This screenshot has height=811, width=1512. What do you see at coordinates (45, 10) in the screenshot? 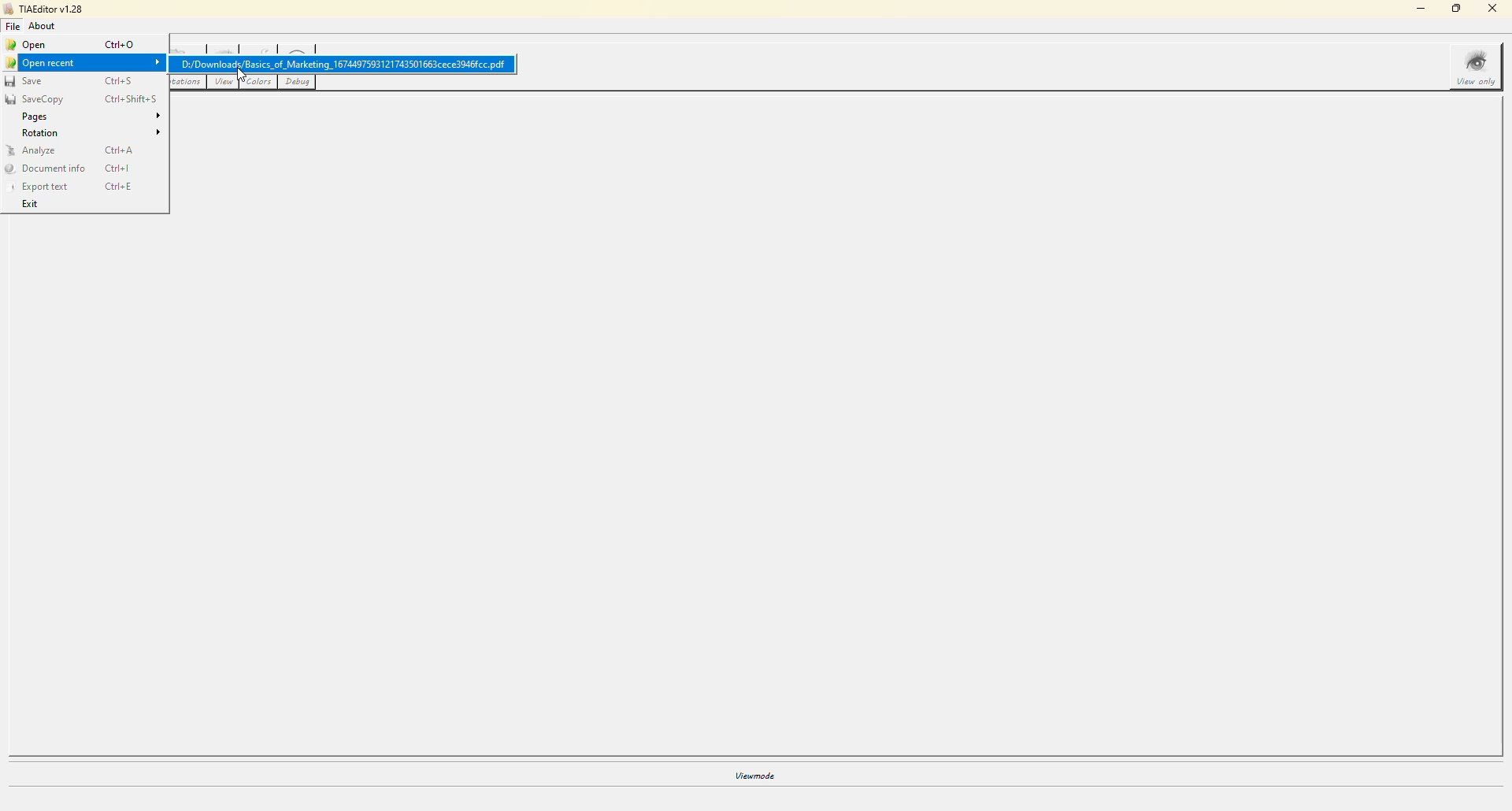
I see `tiaeditor` at bounding box center [45, 10].